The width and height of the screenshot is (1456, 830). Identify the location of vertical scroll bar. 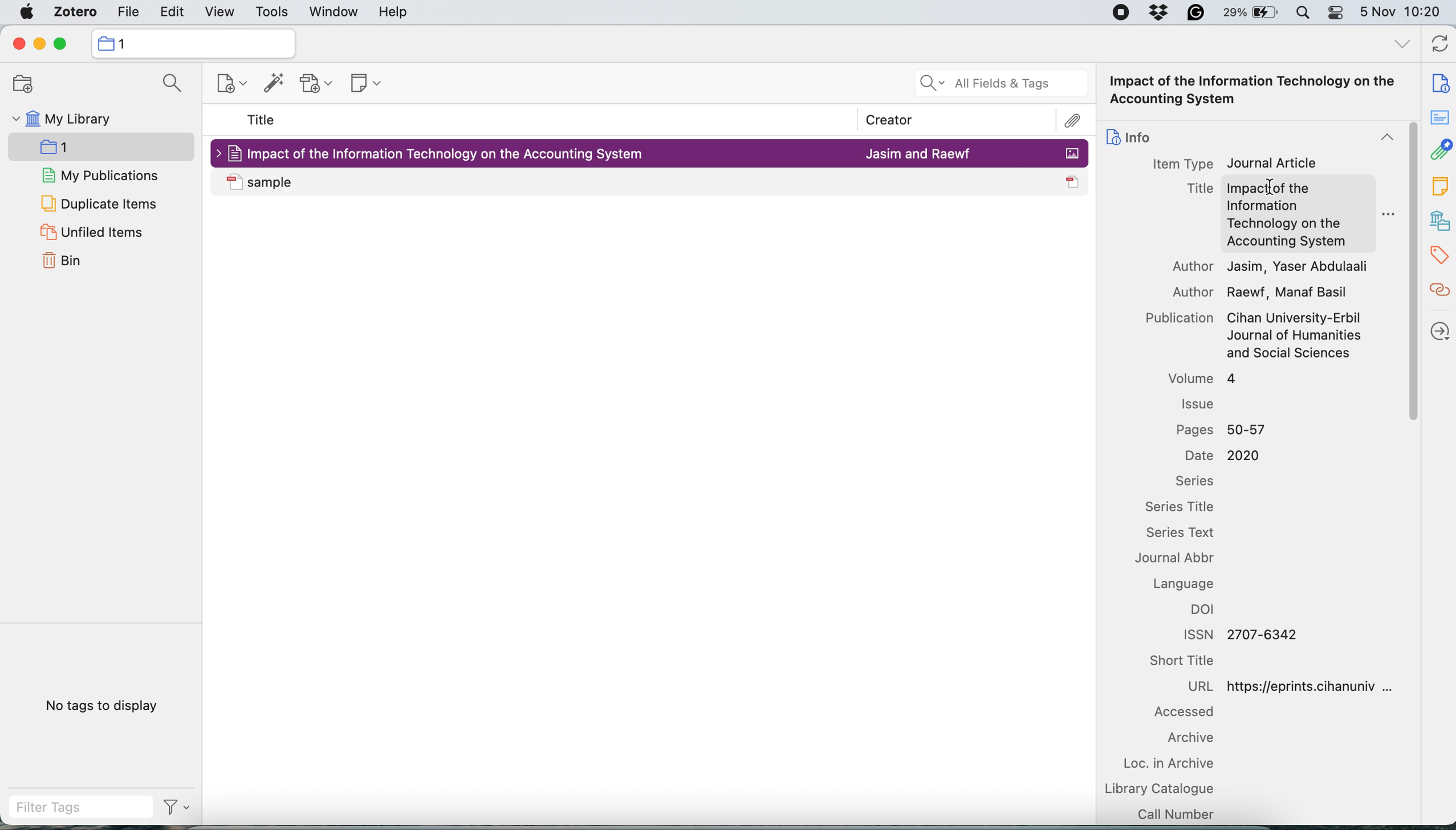
(1410, 272).